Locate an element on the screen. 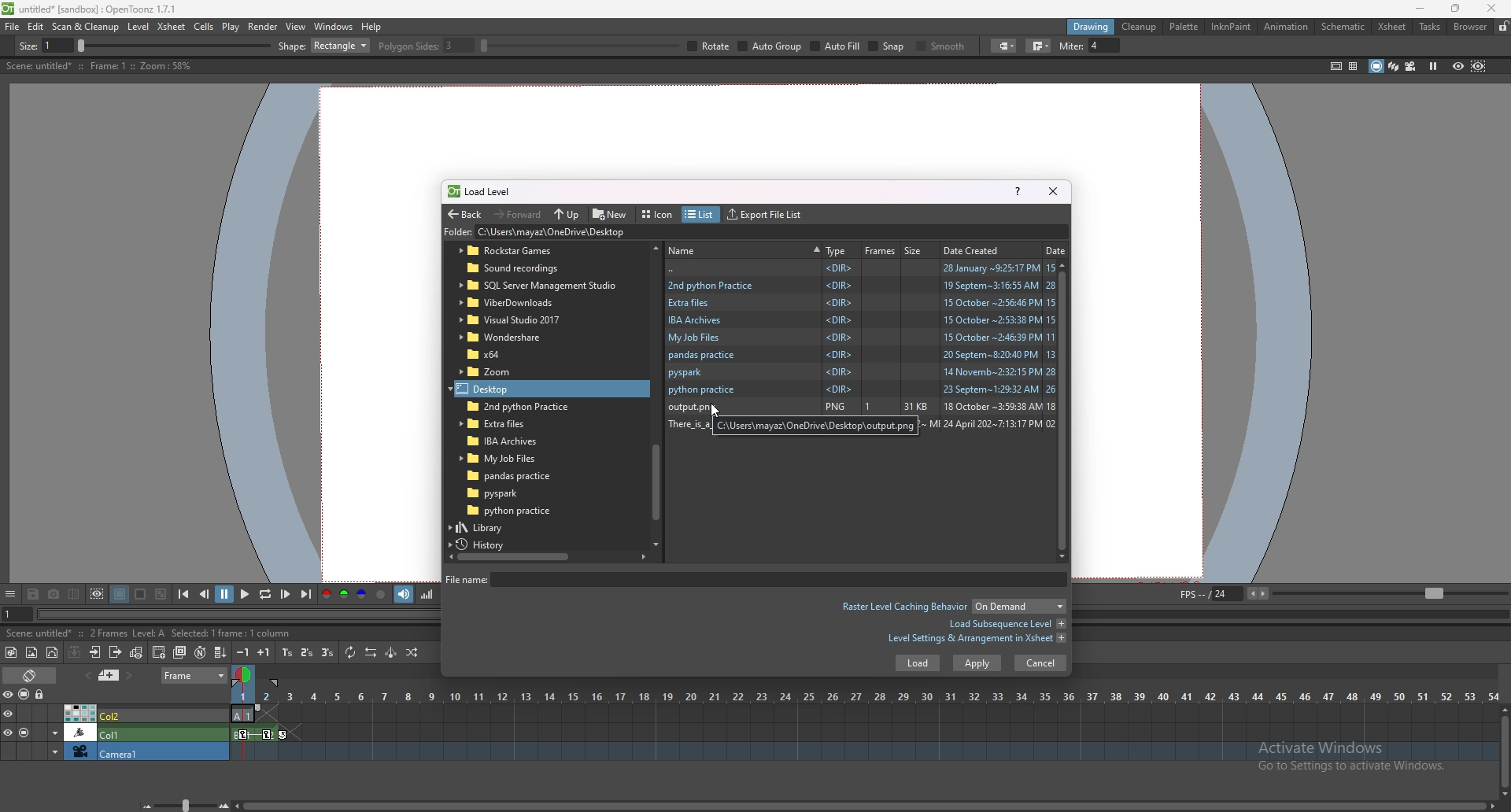 The width and height of the screenshot is (1511, 812). help is located at coordinates (371, 27).